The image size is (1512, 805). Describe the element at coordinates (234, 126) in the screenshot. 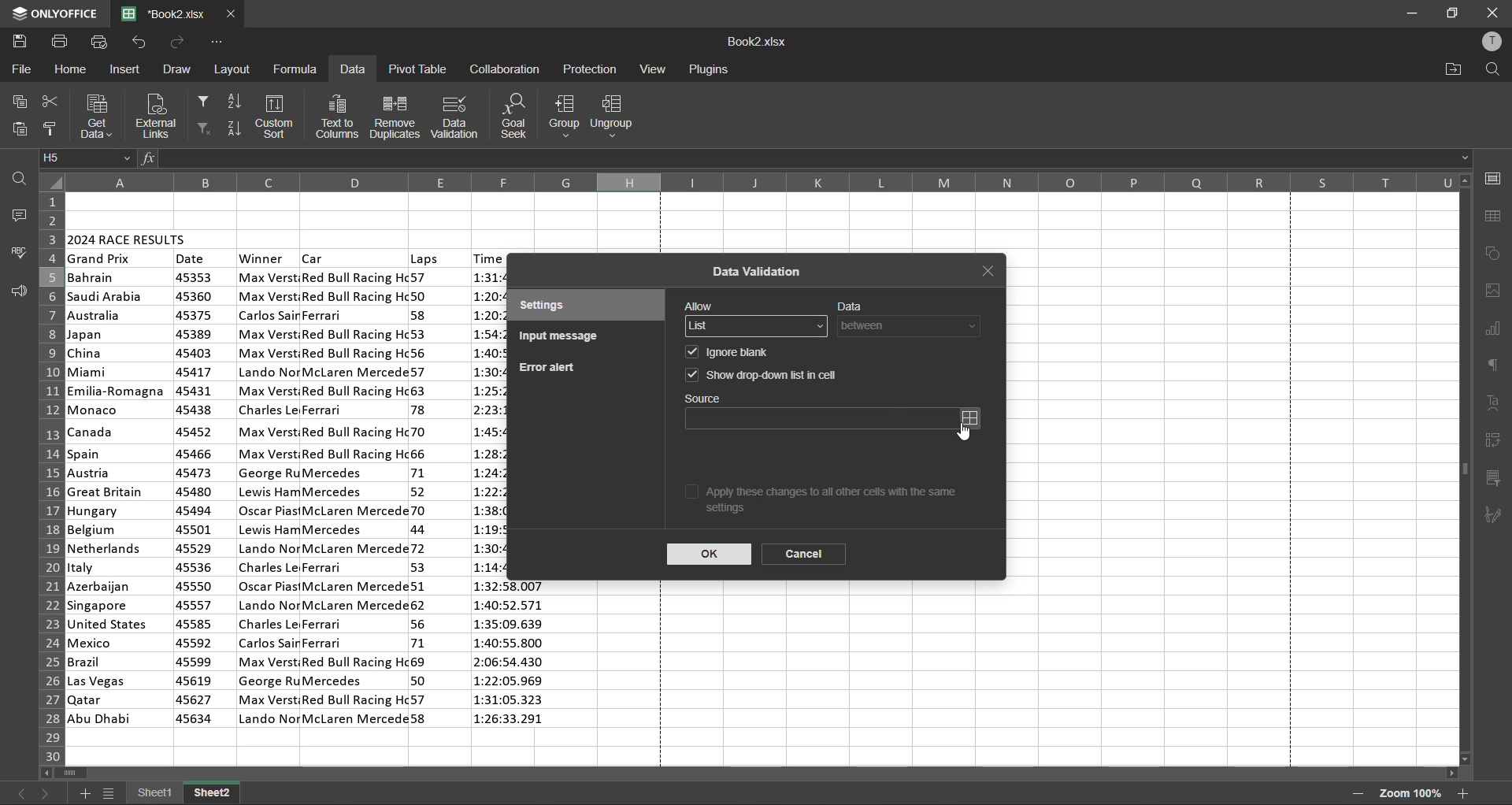

I see `sort descending` at that location.